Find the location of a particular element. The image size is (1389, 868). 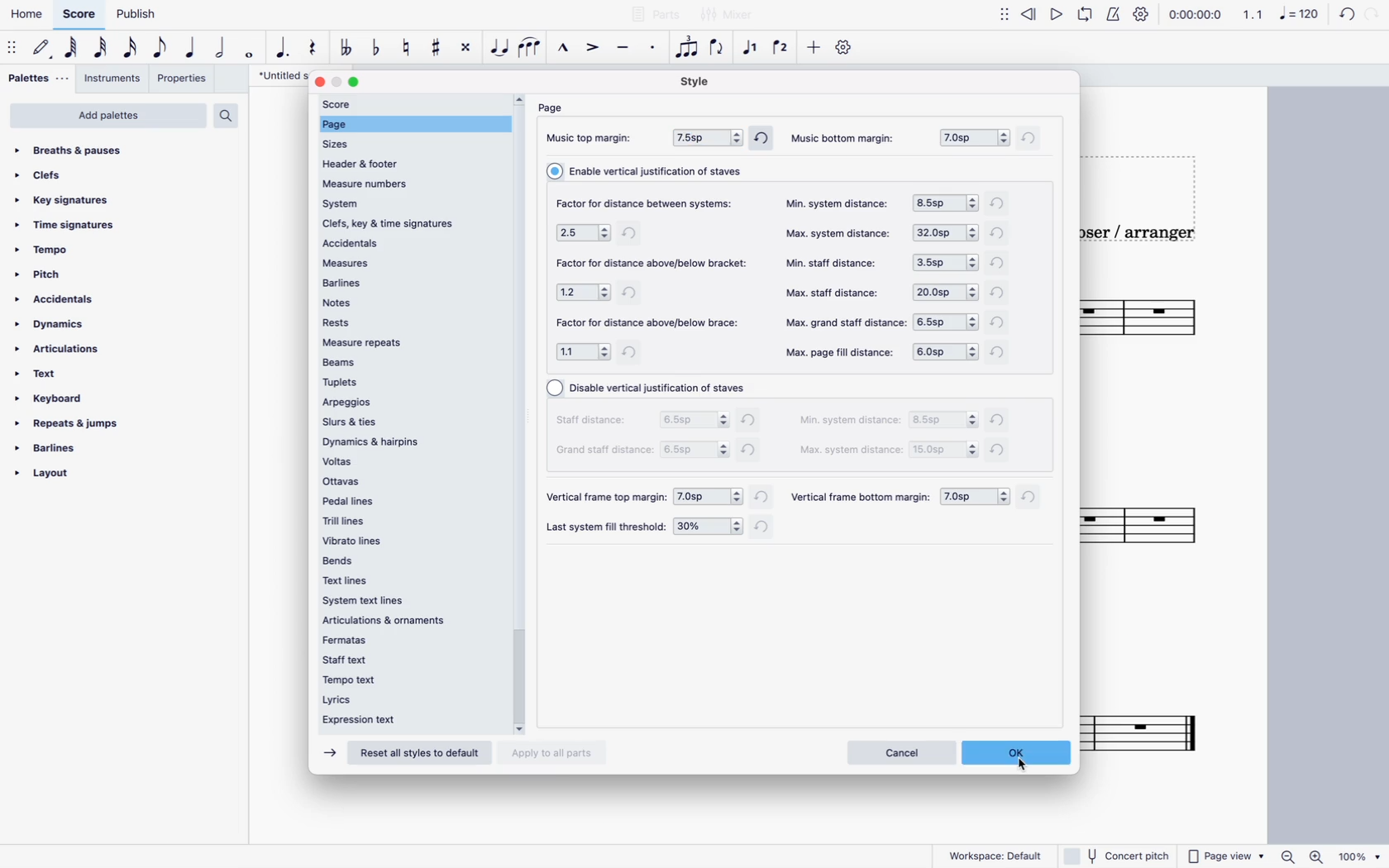

flip direction is located at coordinates (718, 52).